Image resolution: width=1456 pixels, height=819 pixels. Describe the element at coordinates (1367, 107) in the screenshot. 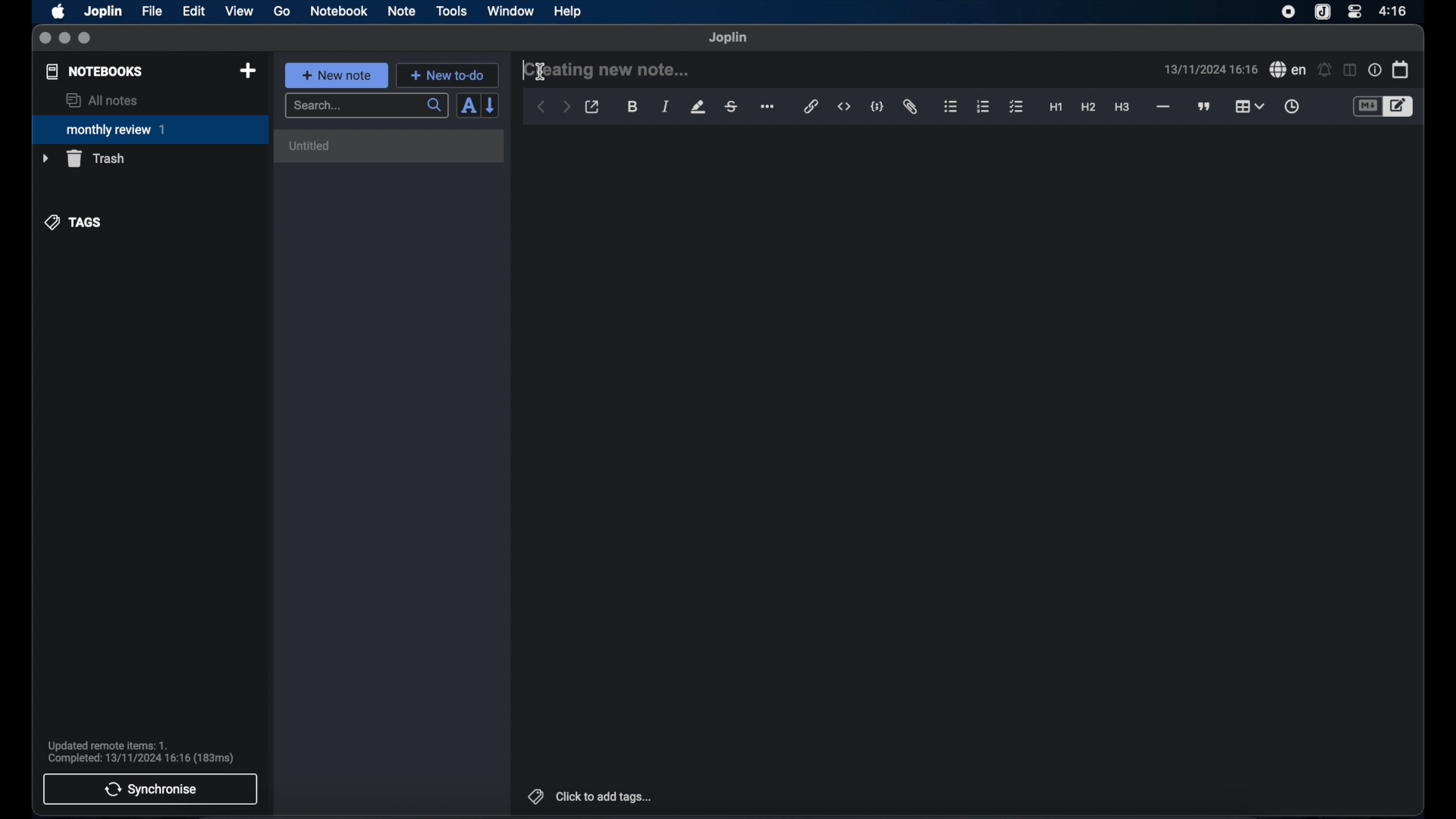

I see `toggle editor` at that location.